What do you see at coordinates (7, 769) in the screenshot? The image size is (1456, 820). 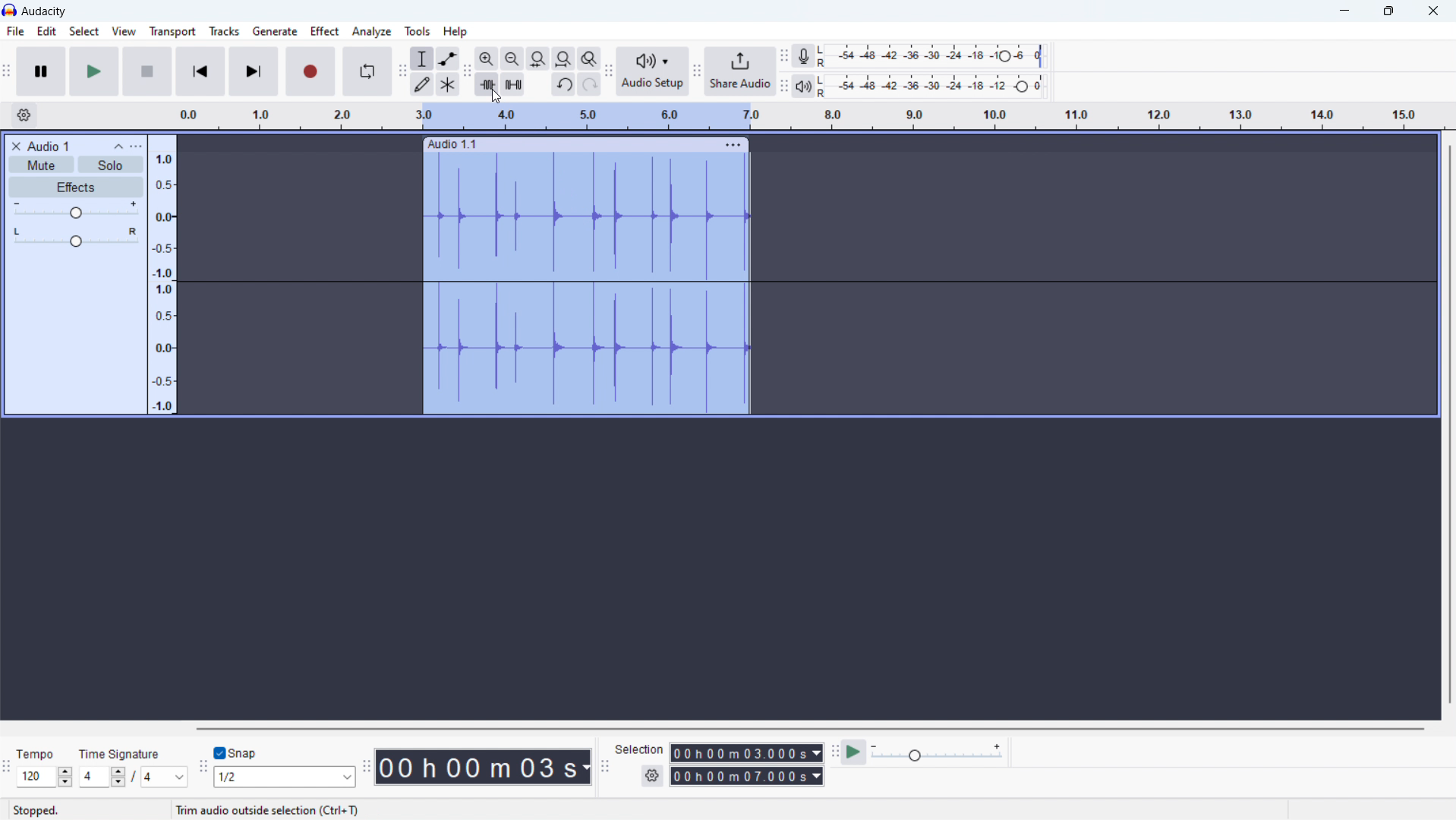 I see `time signature toolbar` at bounding box center [7, 769].